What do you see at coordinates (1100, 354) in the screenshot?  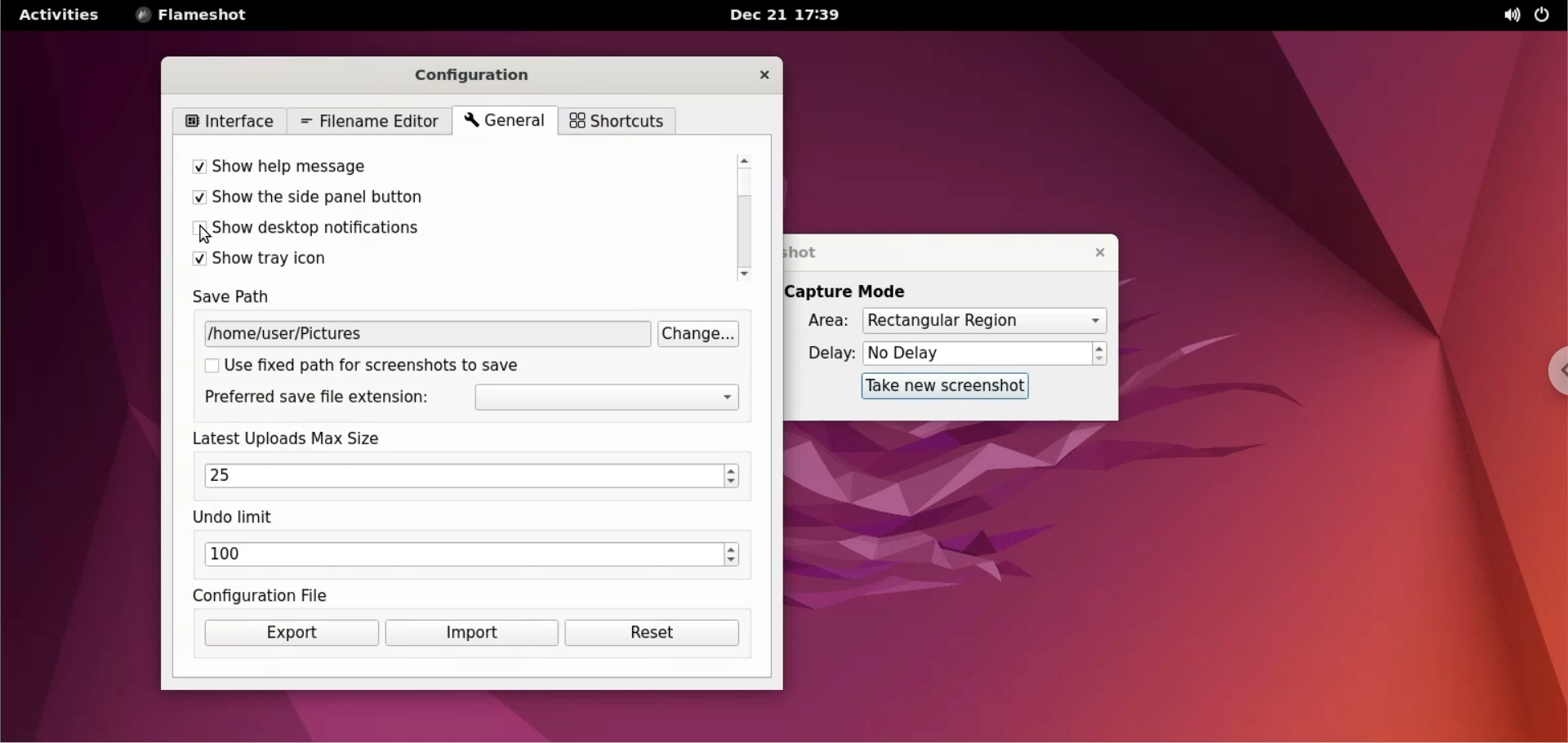 I see `increment and decrement delay time` at bounding box center [1100, 354].